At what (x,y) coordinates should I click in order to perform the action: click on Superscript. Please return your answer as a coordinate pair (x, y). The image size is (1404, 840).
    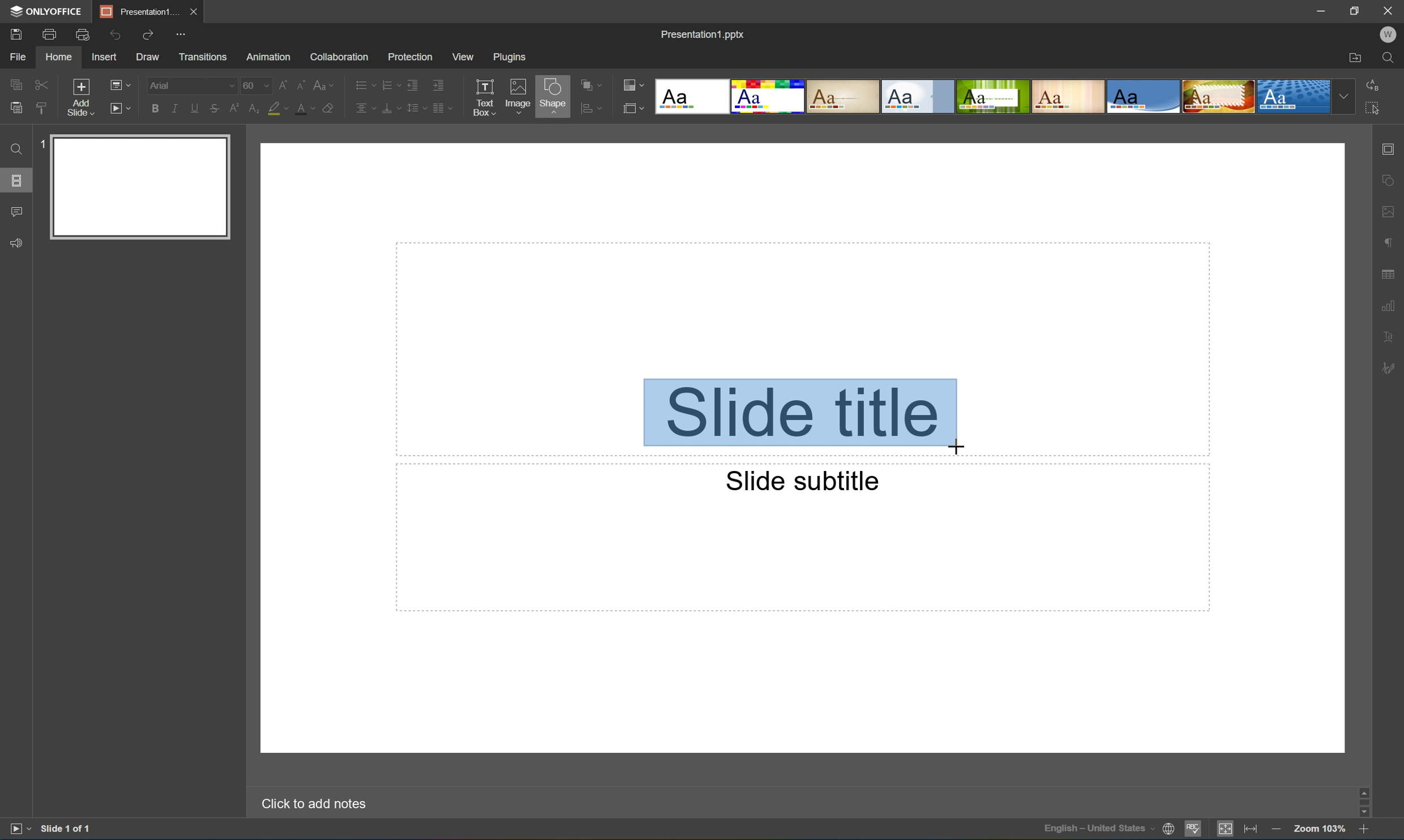
    Looking at the image, I should click on (233, 108).